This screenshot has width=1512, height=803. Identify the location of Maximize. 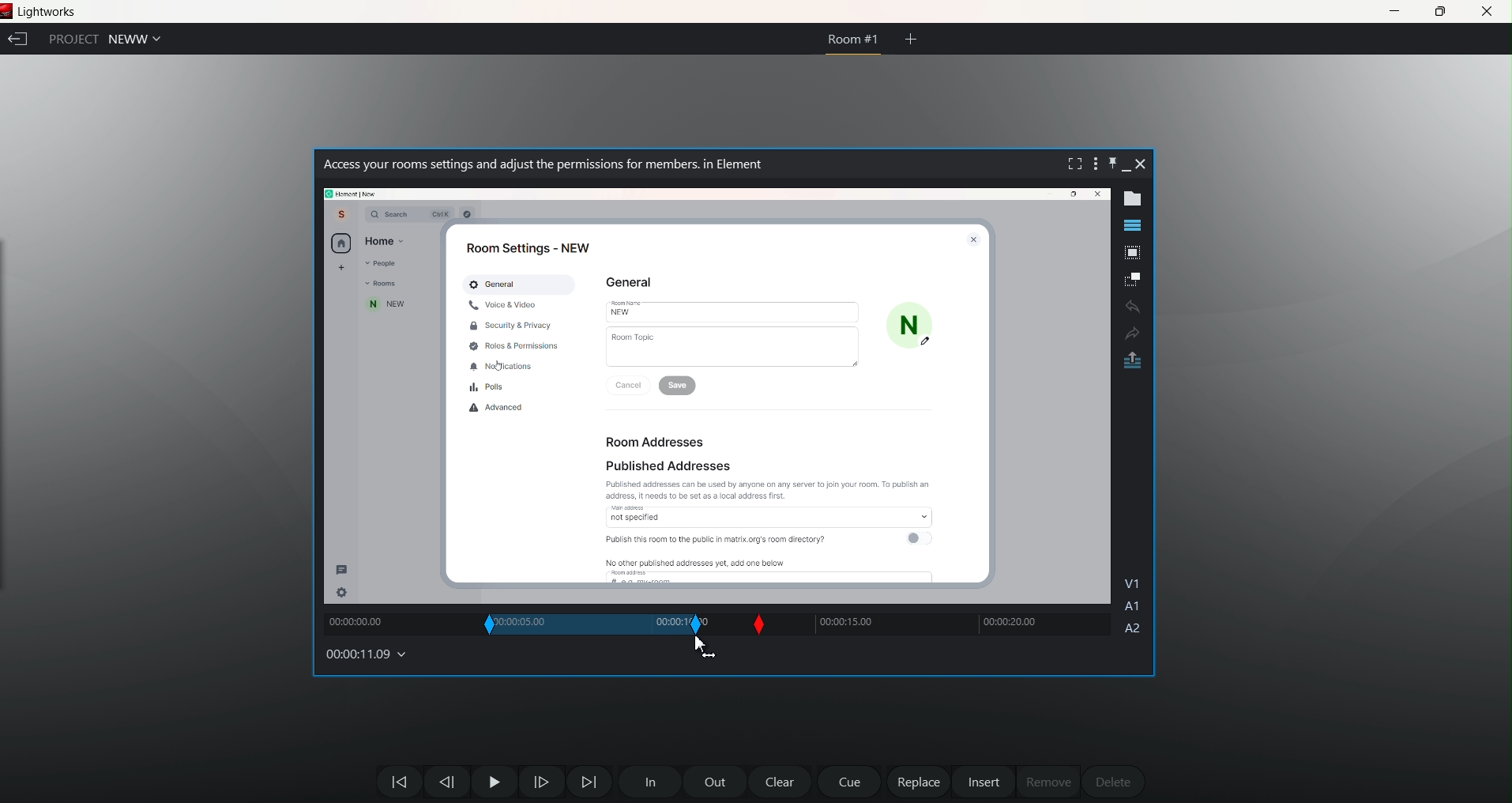
(1070, 195).